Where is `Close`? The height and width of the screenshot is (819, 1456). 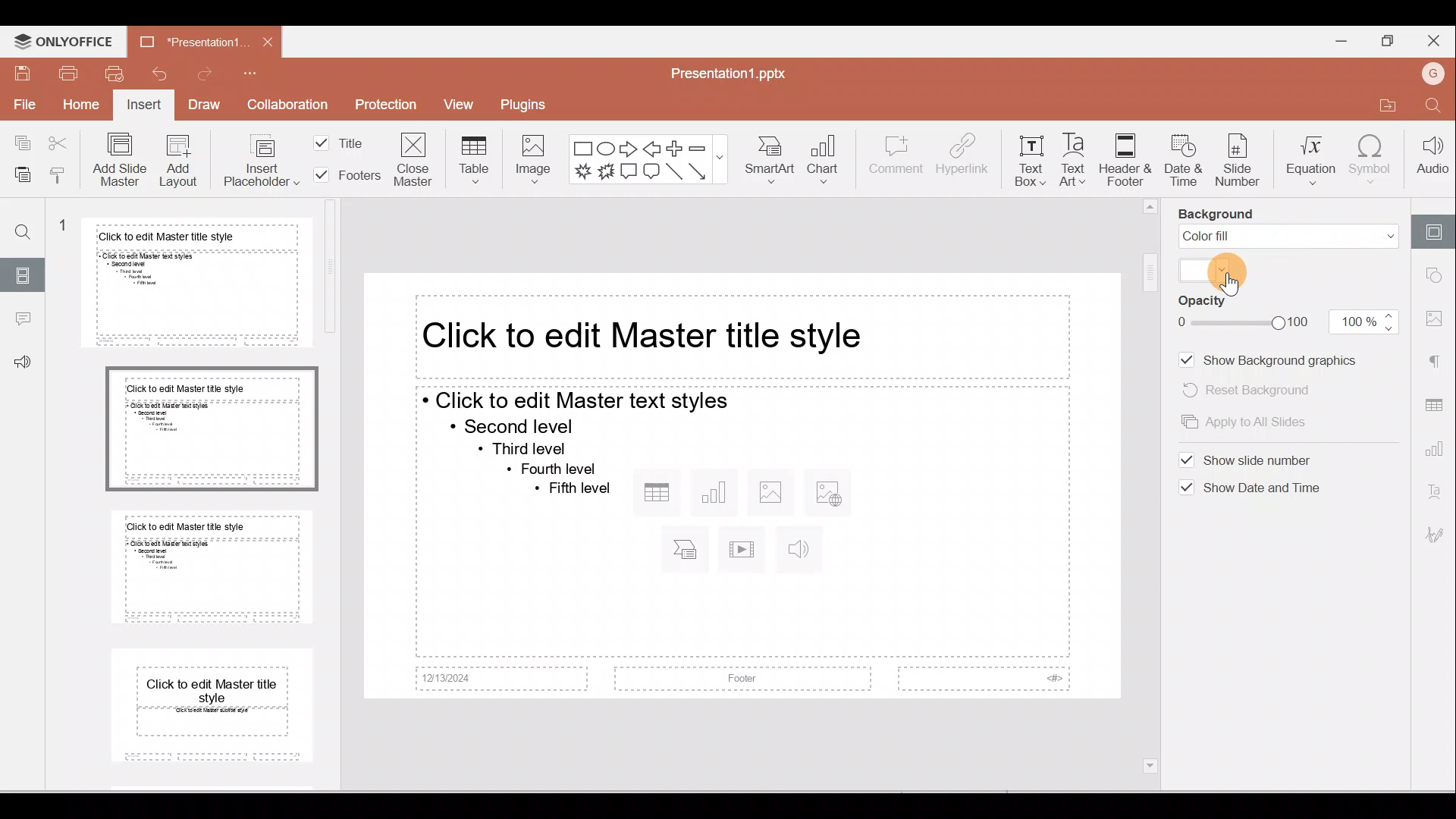
Close is located at coordinates (1437, 42).